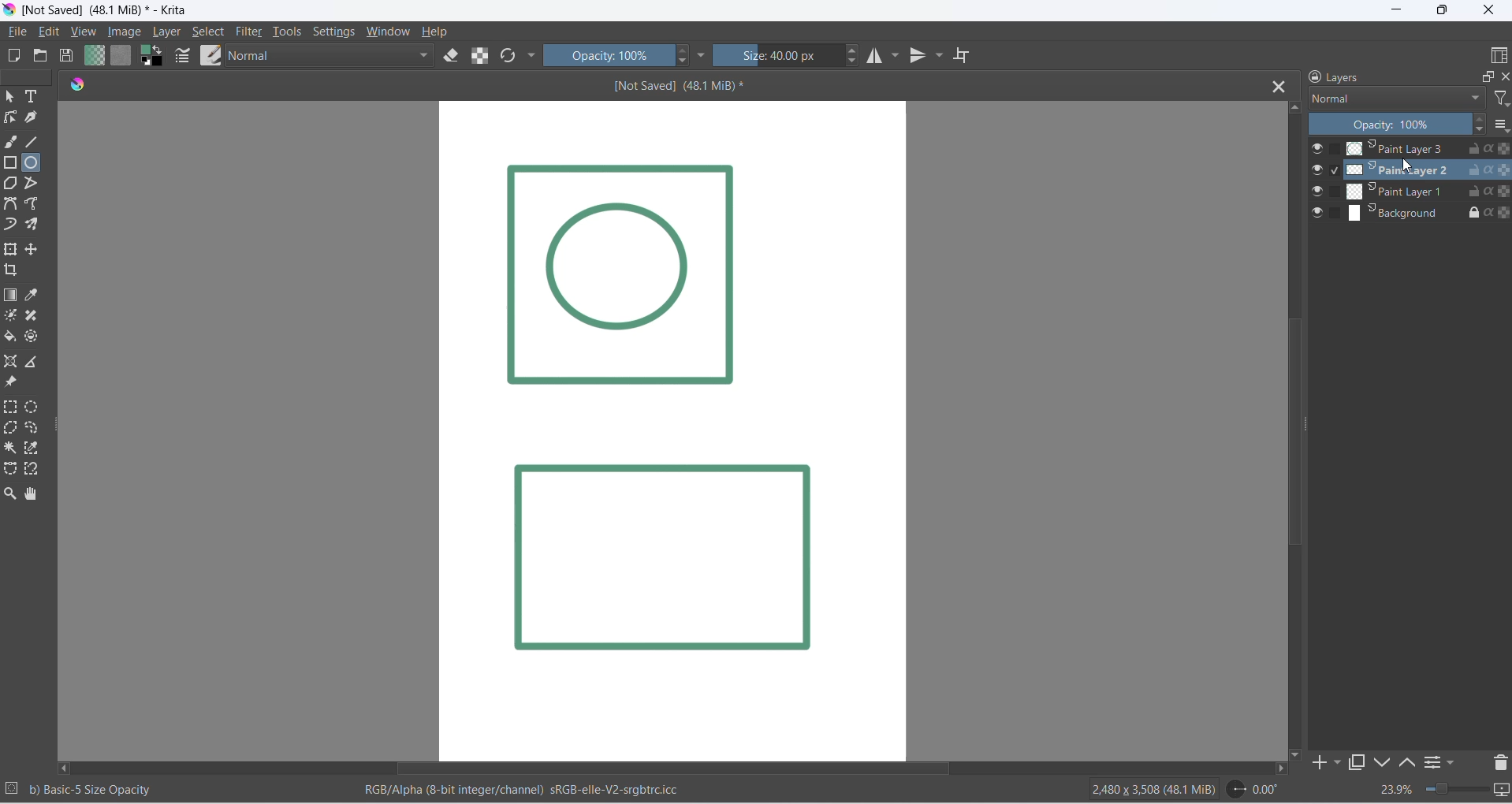 The width and height of the screenshot is (1512, 804). Describe the element at coordinates (1469, 148) in the screenshot. I see `unlock` at that location.